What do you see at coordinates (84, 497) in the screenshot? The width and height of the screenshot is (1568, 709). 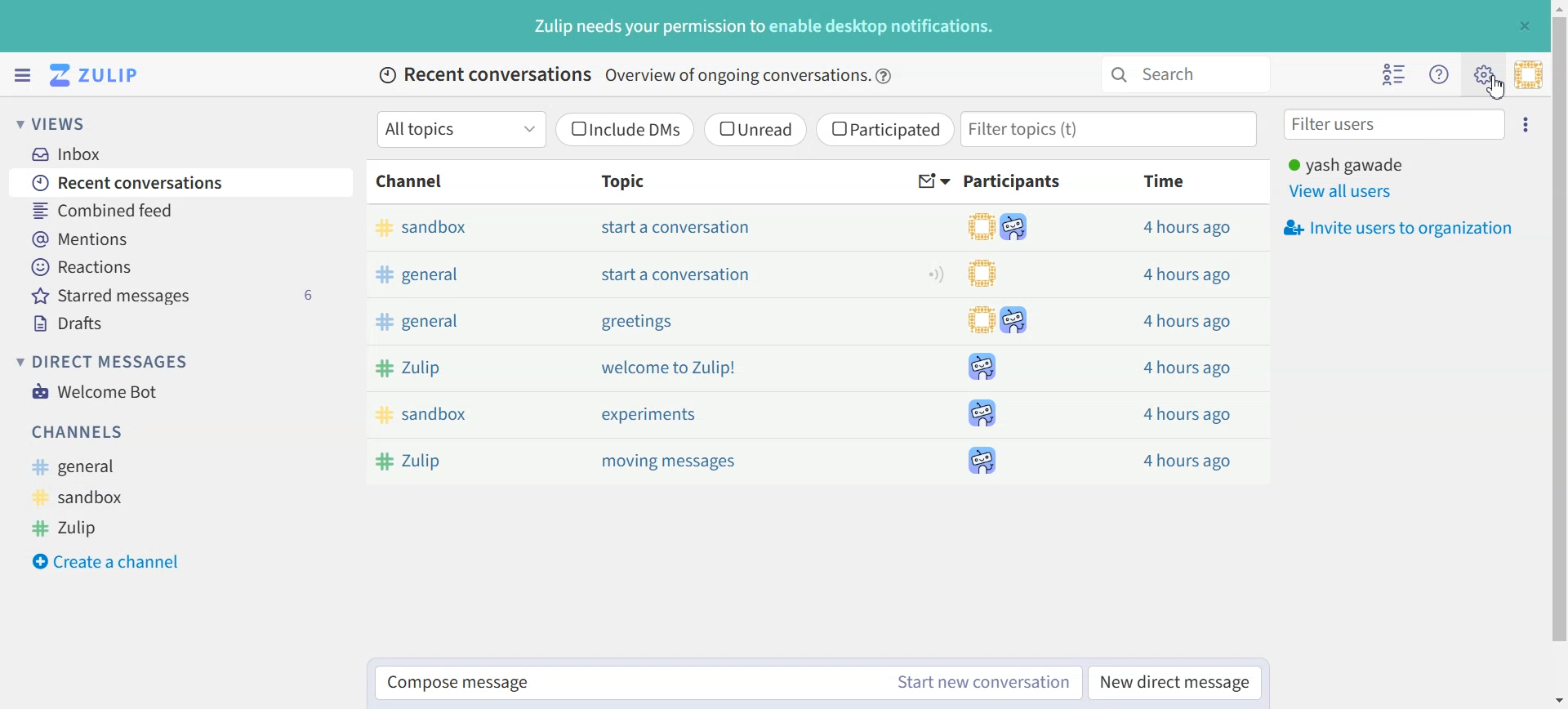 I see `#sandbox` at bounding box center [84, 497].